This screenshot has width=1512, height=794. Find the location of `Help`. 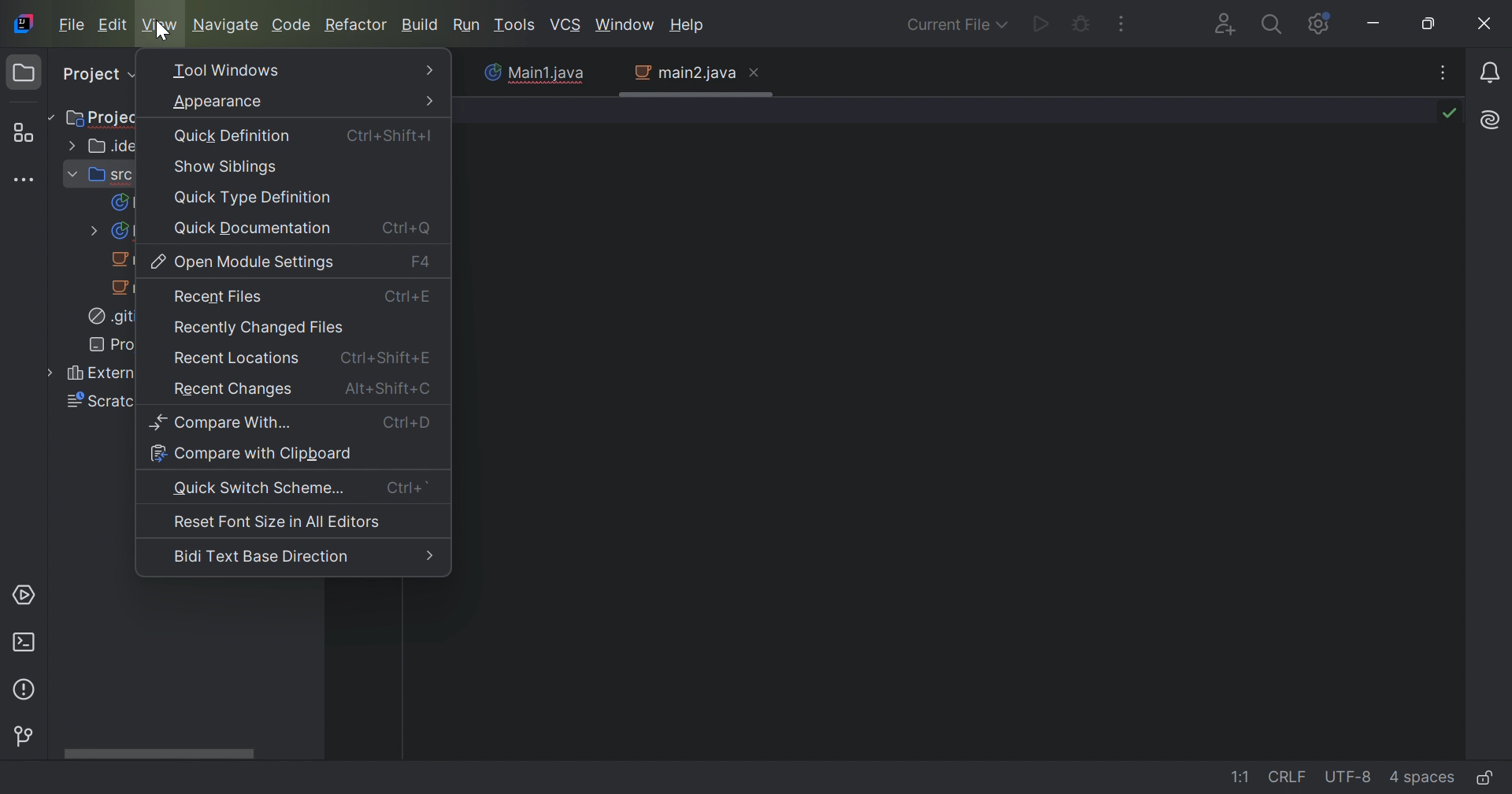

Help is located at coordinates (687, 26).